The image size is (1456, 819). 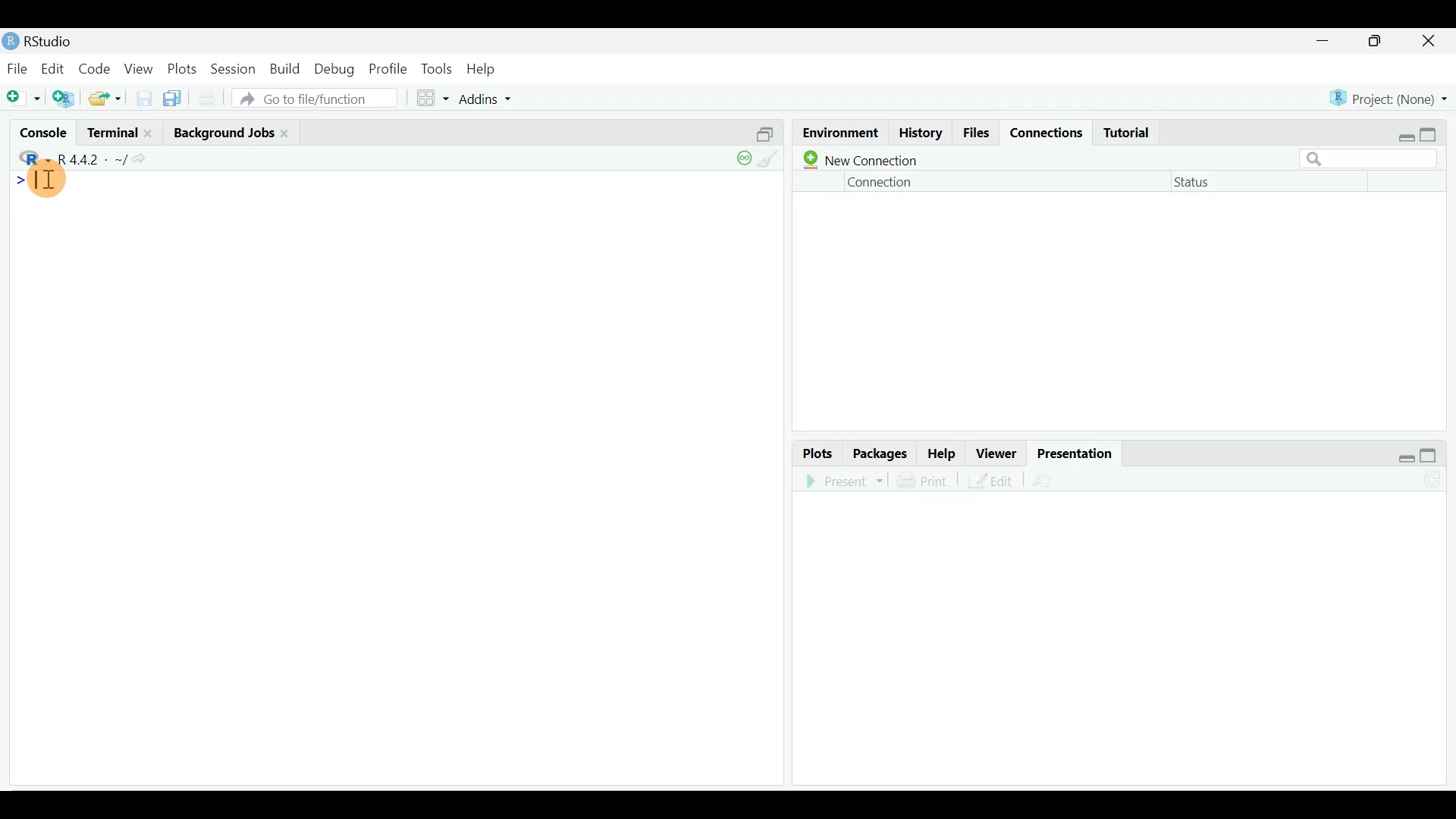 I want to click on Line cursor, so click(x=15, y=180).